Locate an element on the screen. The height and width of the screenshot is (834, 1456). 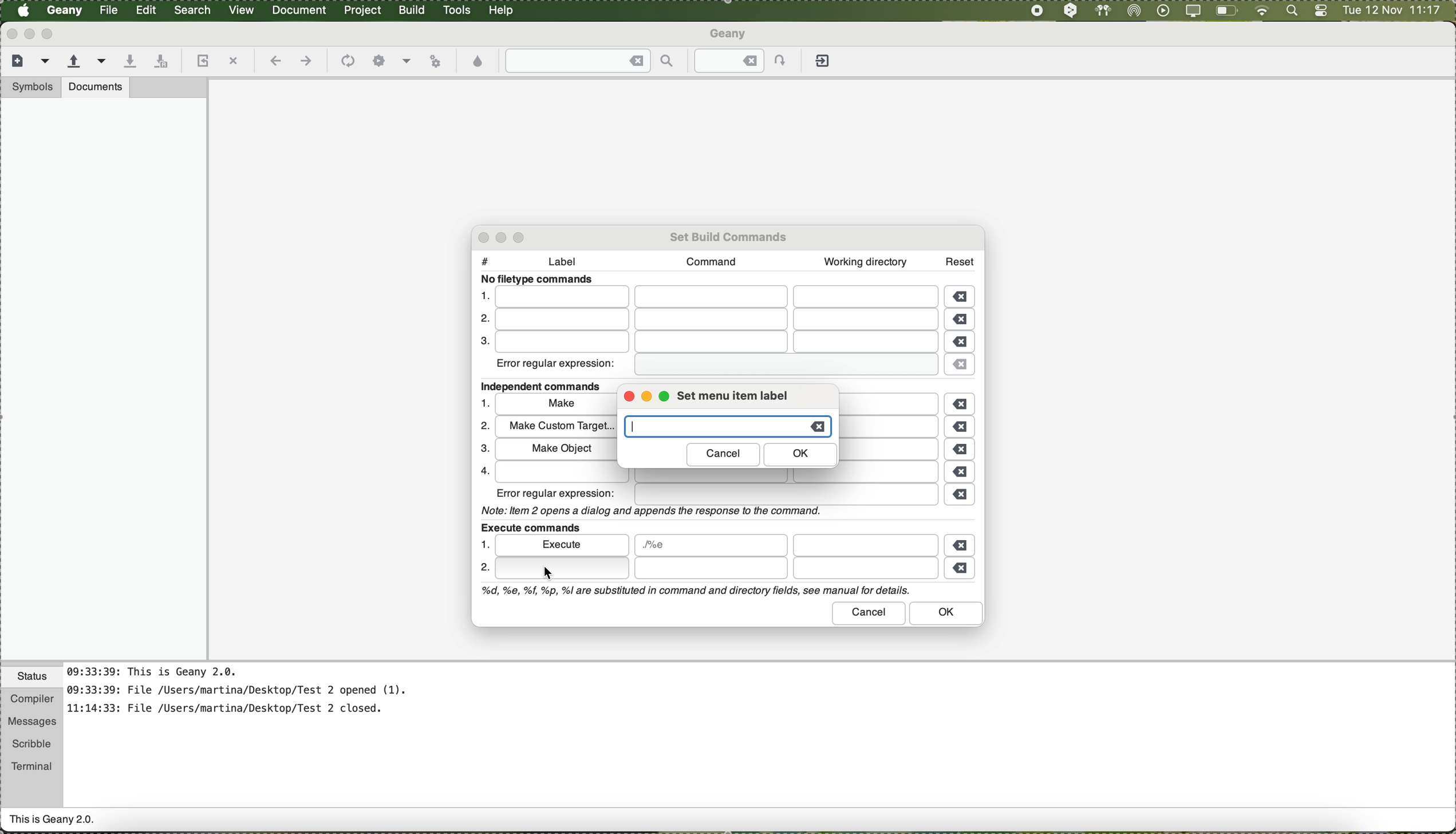
command is located at coordinates (707, 261).